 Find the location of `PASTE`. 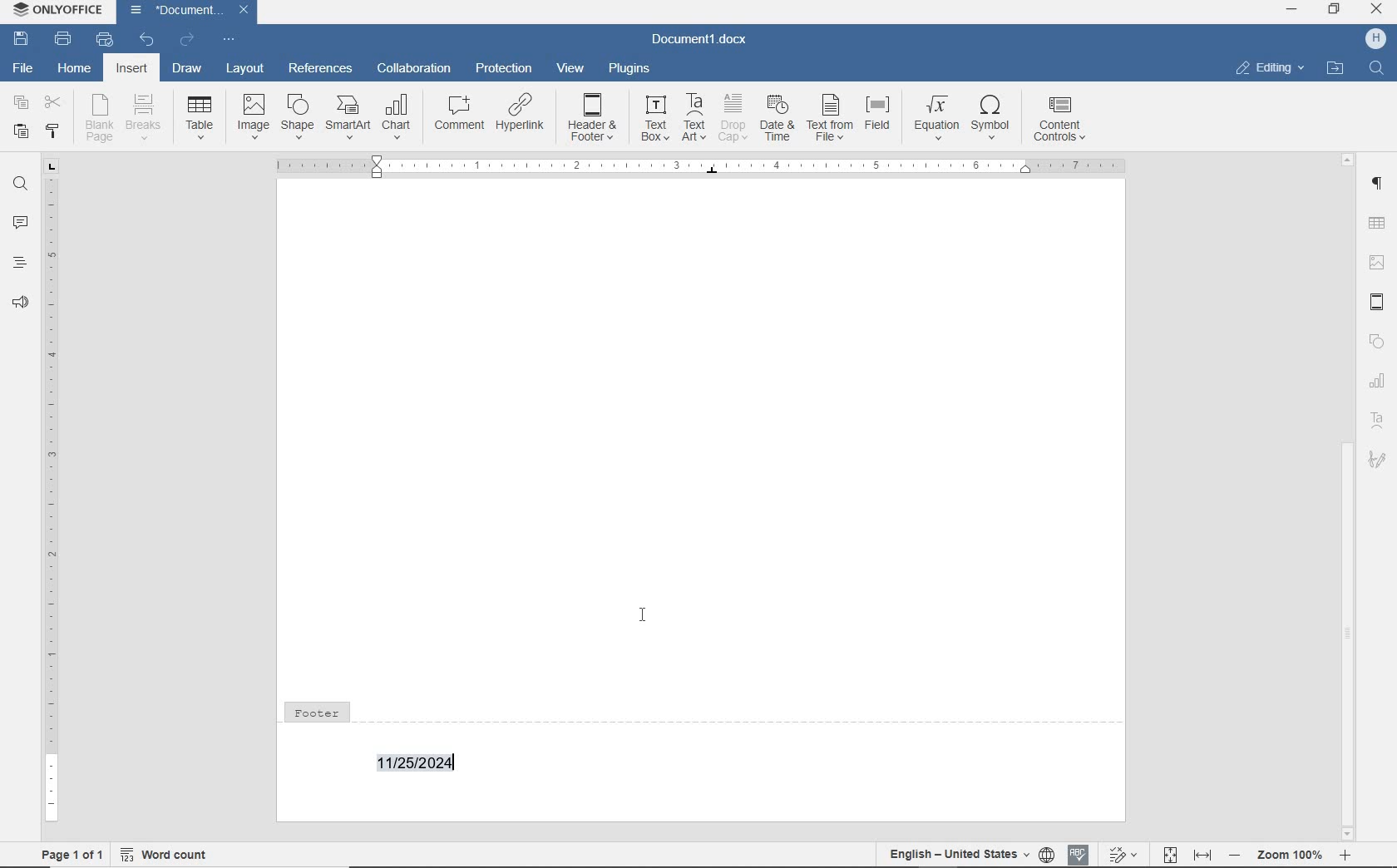

PASTE is located at coordinates (20, 133).